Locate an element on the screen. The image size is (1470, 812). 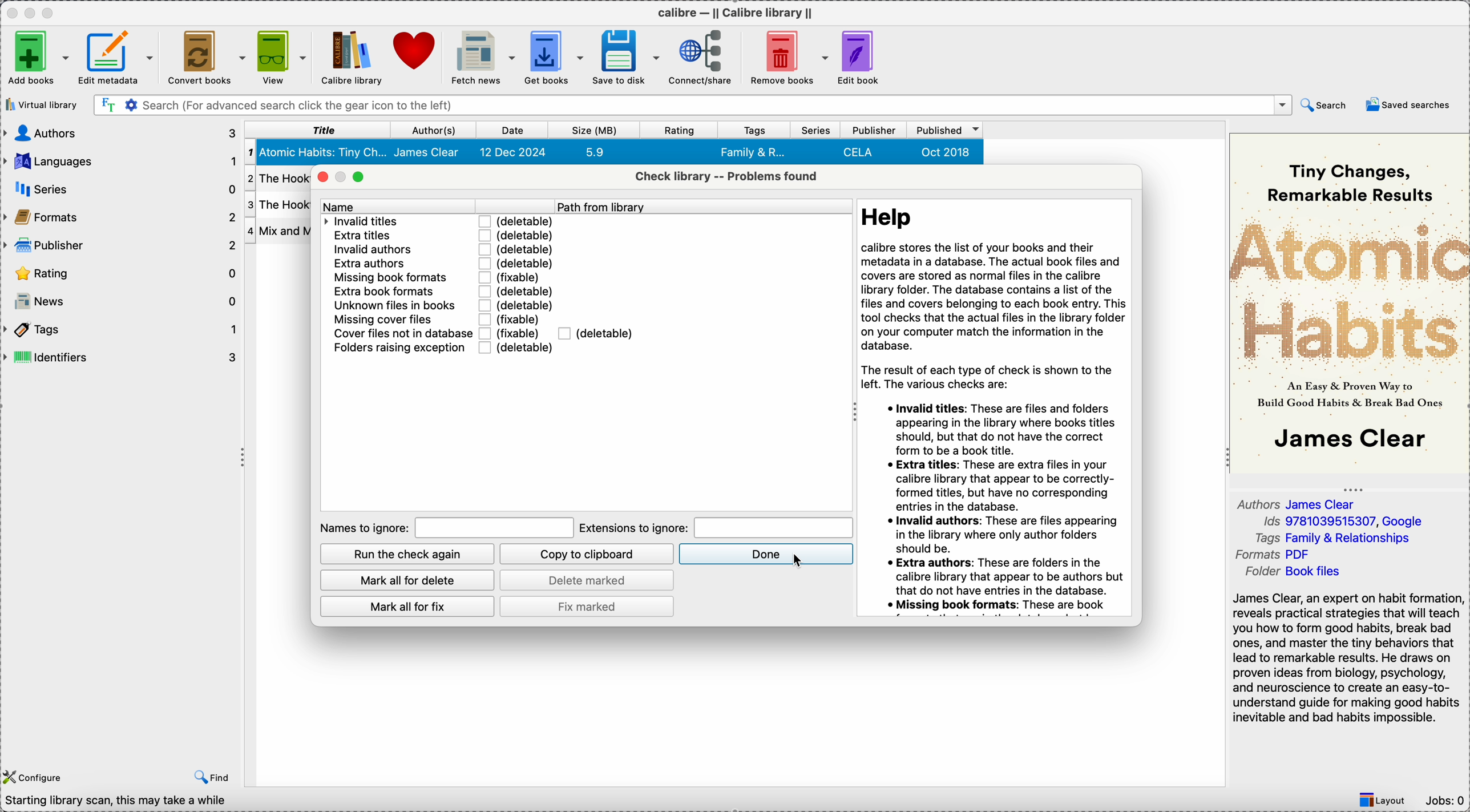
cursor is located at coordinates (797, 560).